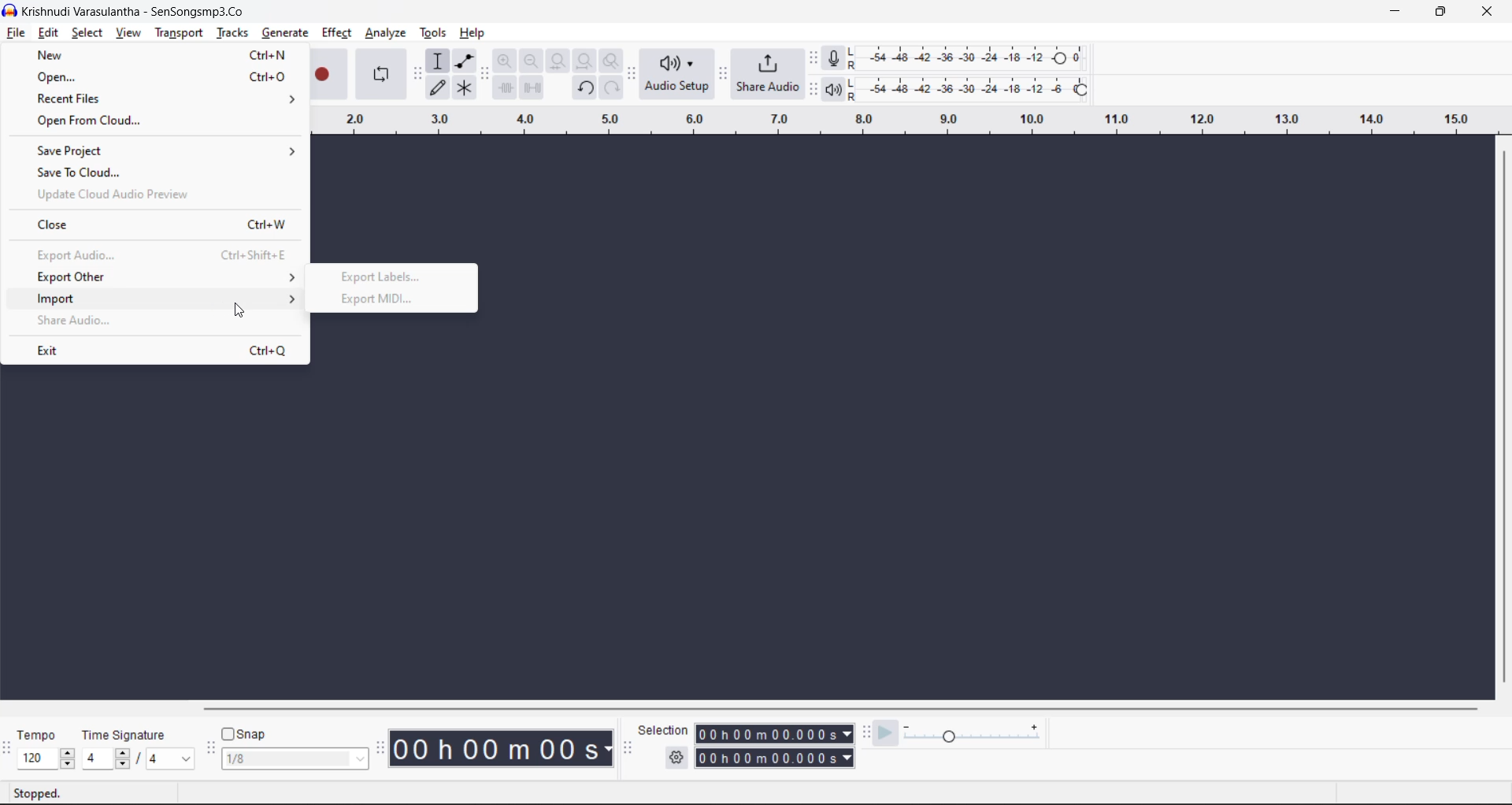  I want to click on close, so click(157, 225).